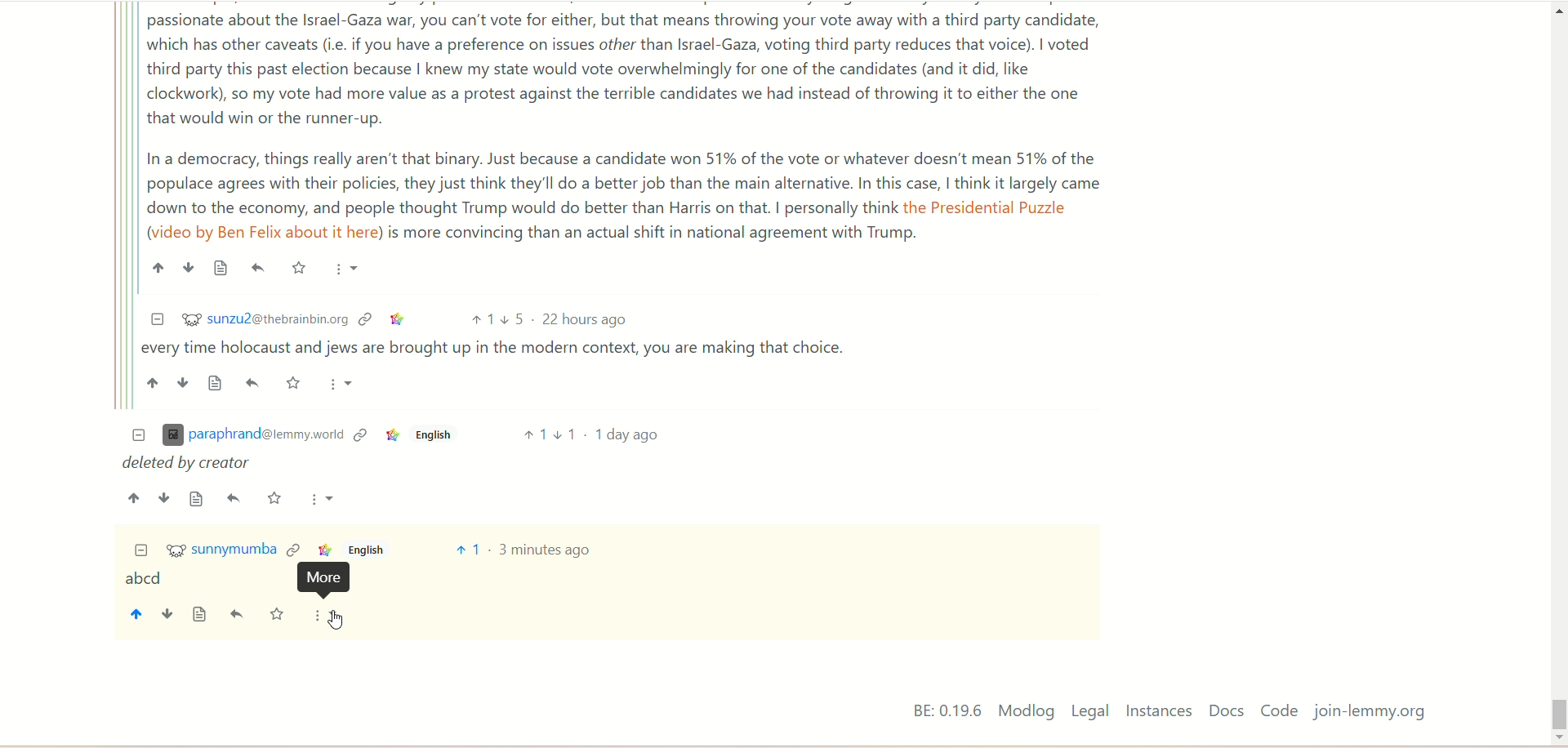  I want to click on Downvote, so click(184, 382).